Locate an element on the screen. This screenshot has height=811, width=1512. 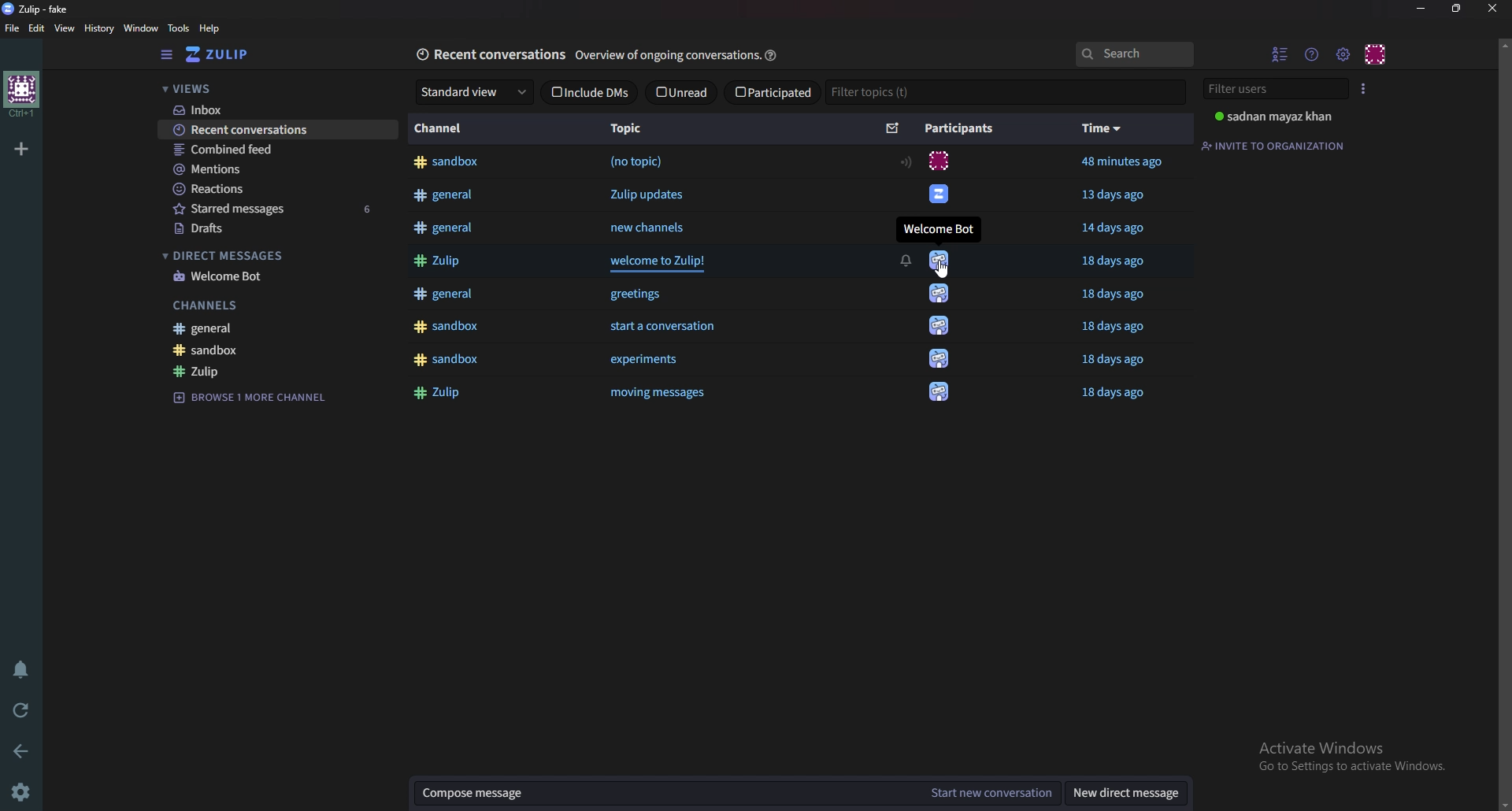
Zulip updates is located at coordinates (645, 194).